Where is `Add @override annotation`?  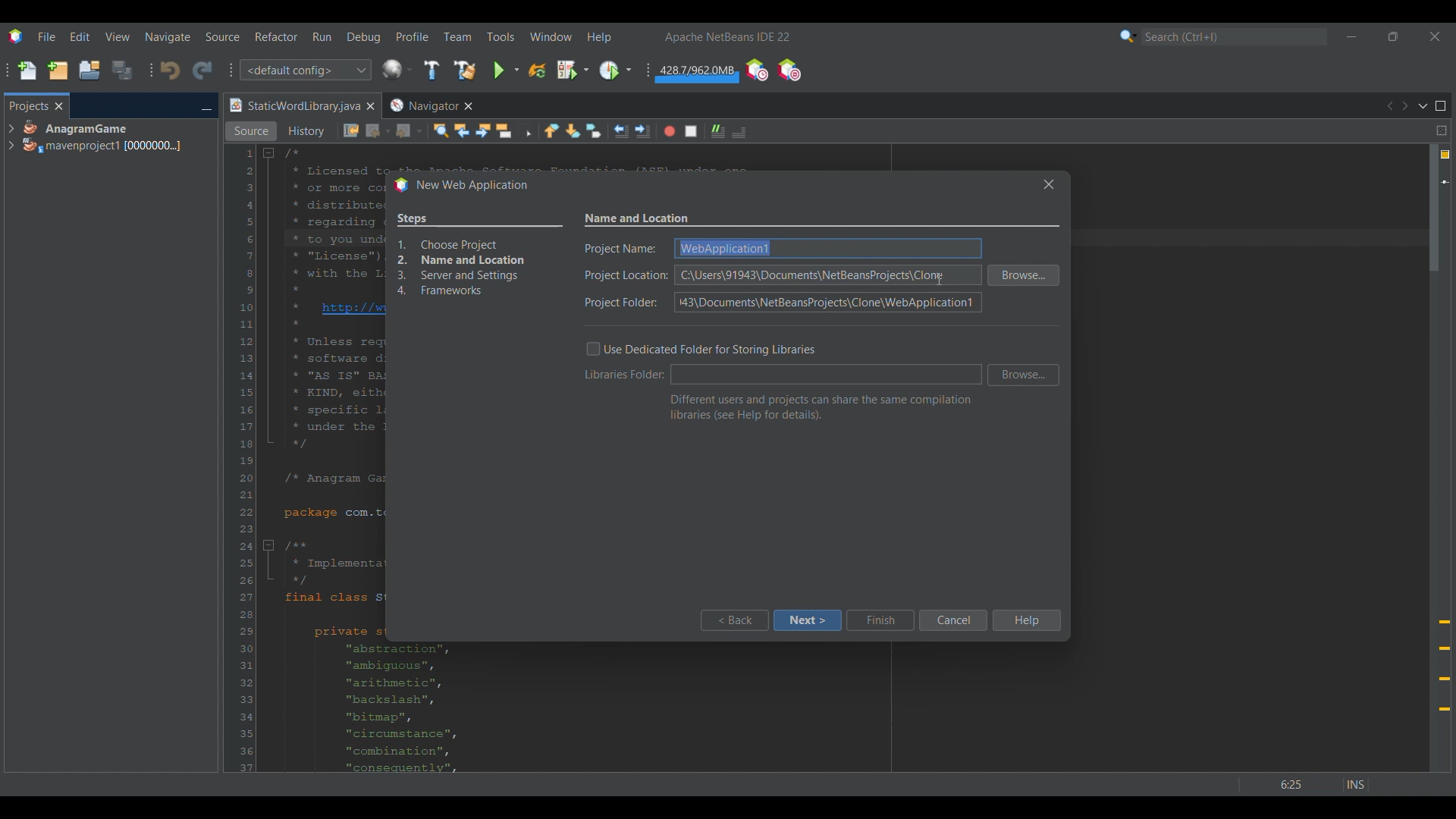 Add @override annotation is located at coordinates (1445, 666).